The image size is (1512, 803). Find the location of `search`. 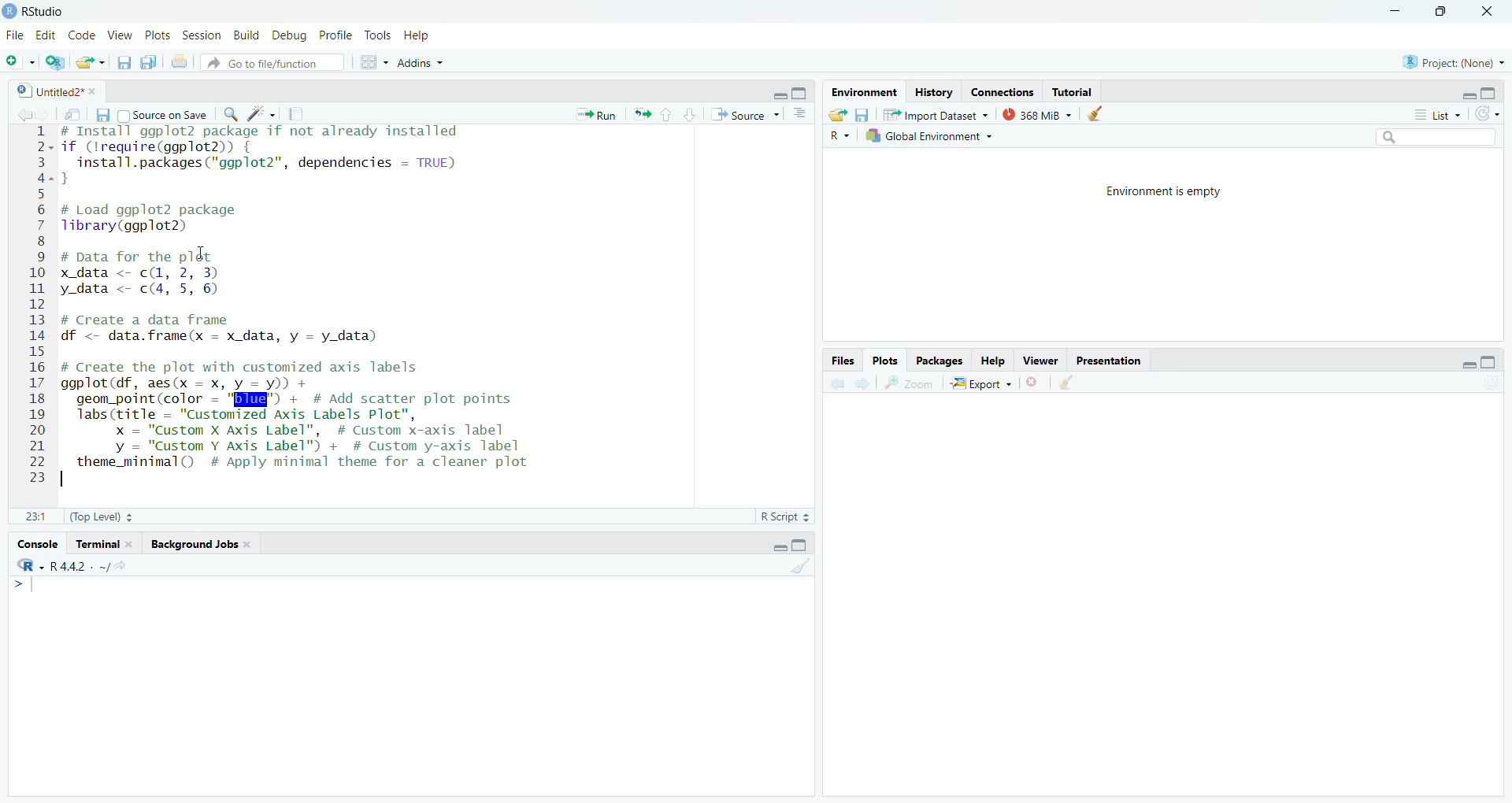

search is located at coordinates (1435, 136).